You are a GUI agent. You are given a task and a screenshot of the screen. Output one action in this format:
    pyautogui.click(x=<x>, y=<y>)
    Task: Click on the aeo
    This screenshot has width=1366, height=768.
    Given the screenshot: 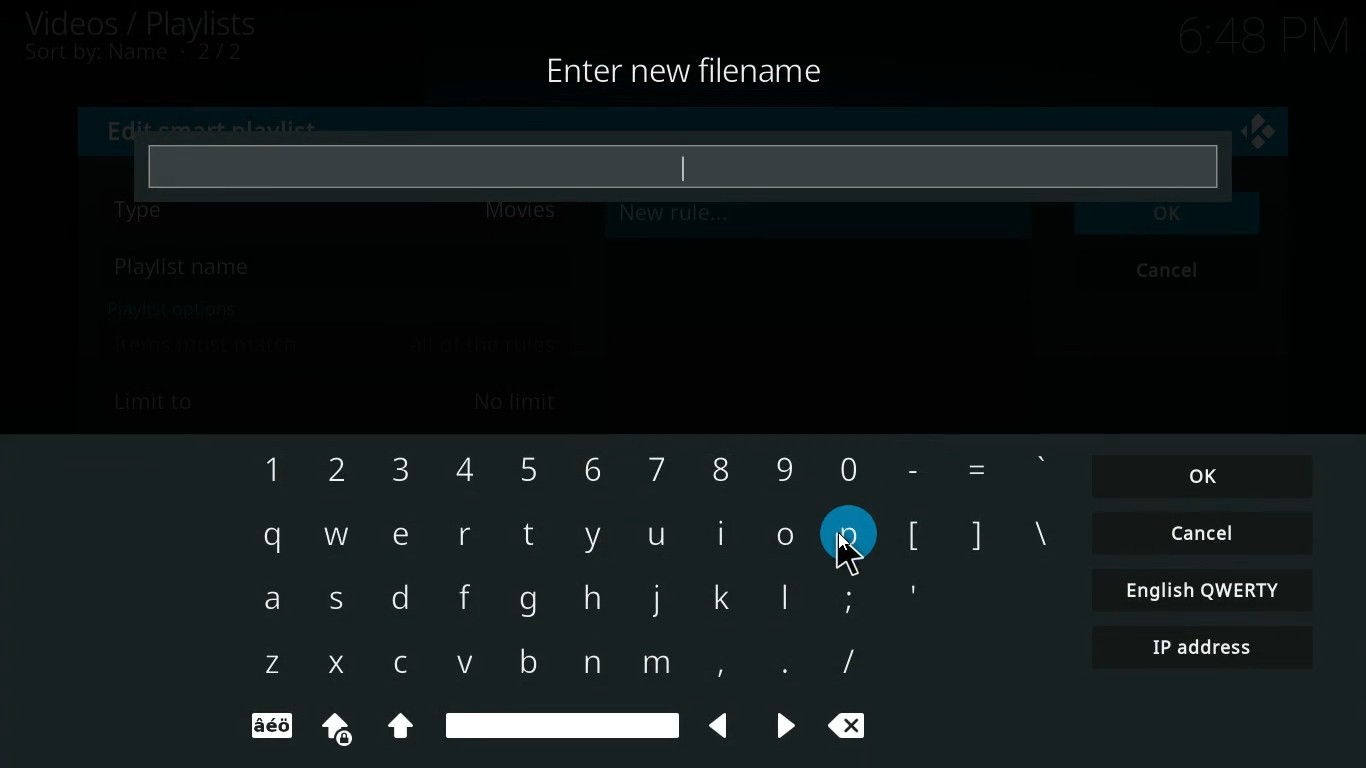 What is the action you would take?
    pyautogui.click(x=271, y=727)
    